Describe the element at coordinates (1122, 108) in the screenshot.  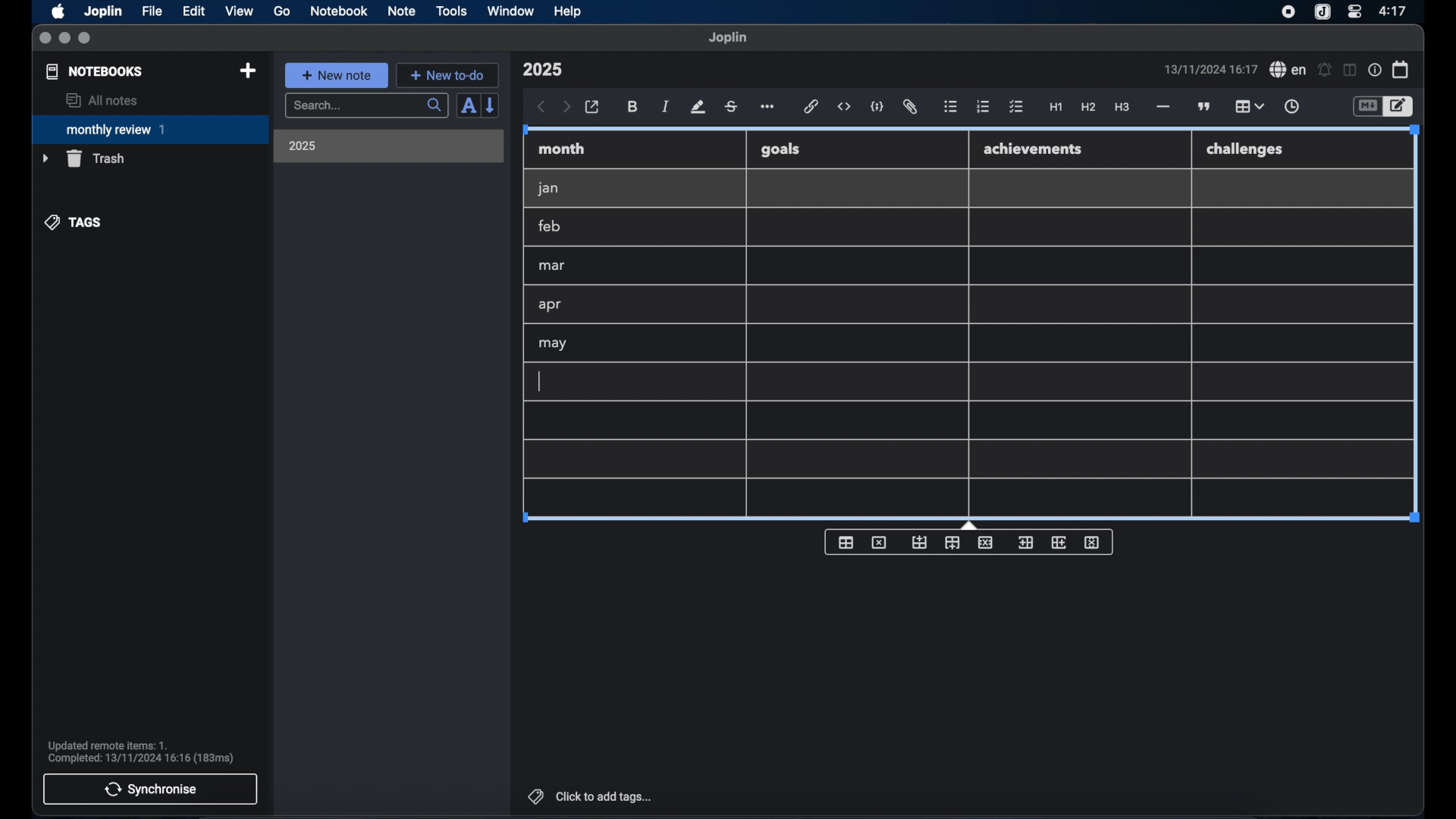
I see `heading 3` at that location.